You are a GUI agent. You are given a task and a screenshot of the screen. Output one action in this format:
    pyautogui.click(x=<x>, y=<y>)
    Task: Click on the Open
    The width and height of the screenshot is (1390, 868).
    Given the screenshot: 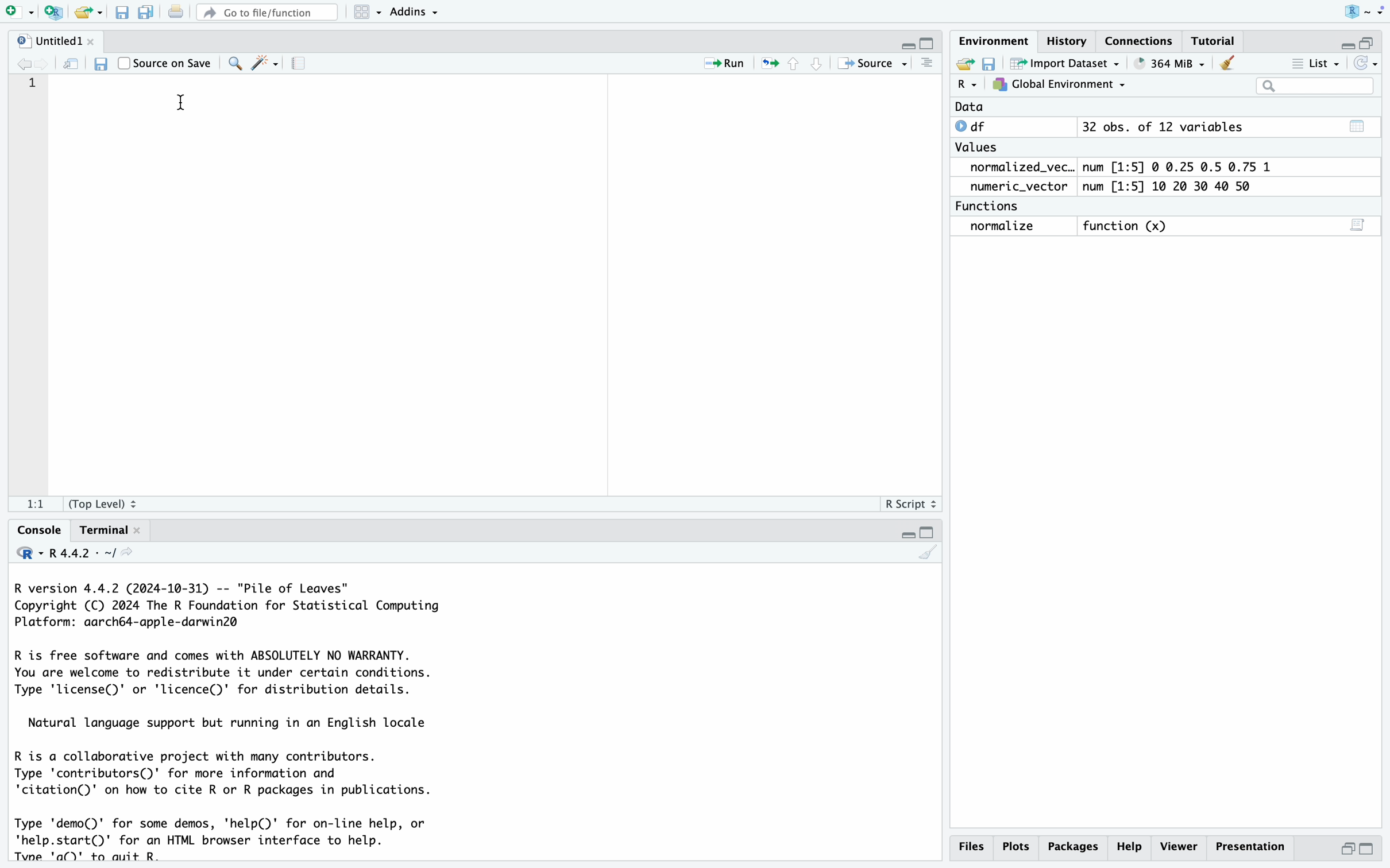 What is the action you would take?
    pyautogui.click(x=963, y=63)
    